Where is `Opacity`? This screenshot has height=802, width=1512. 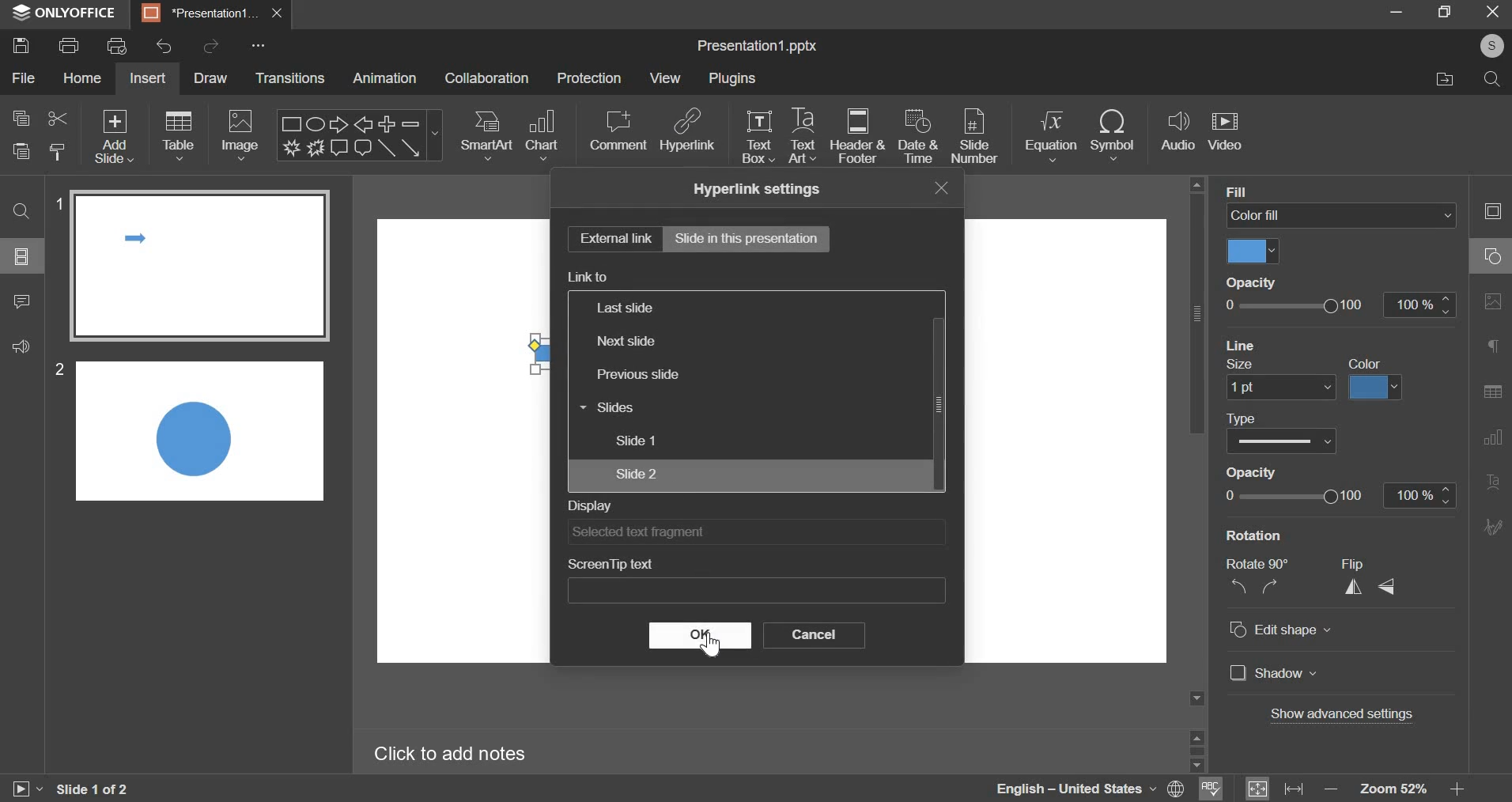 Opacity is located at coordinates (1252, 473).